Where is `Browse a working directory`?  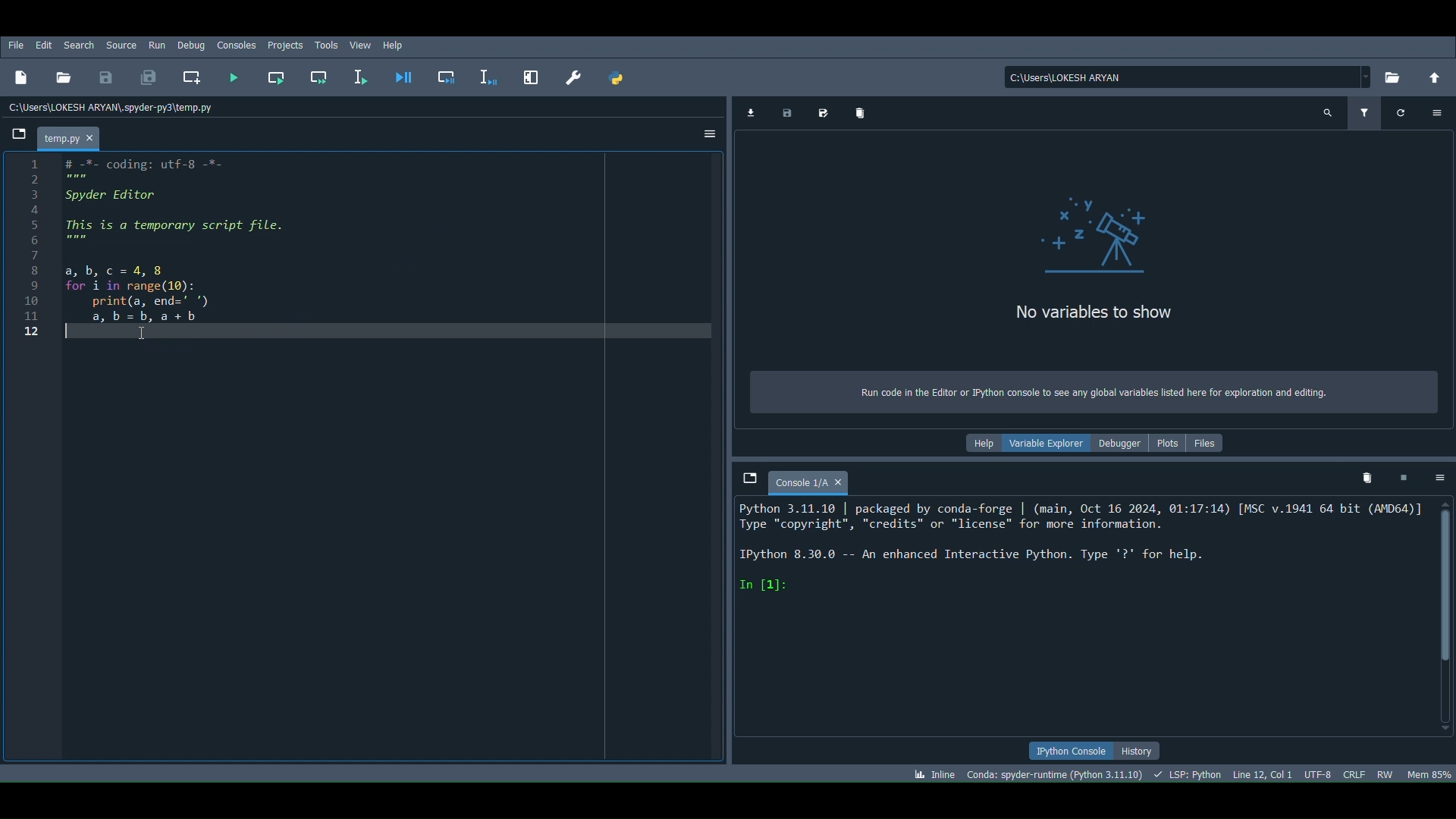
Browse a working directory is located at coordinates (1391, 78).